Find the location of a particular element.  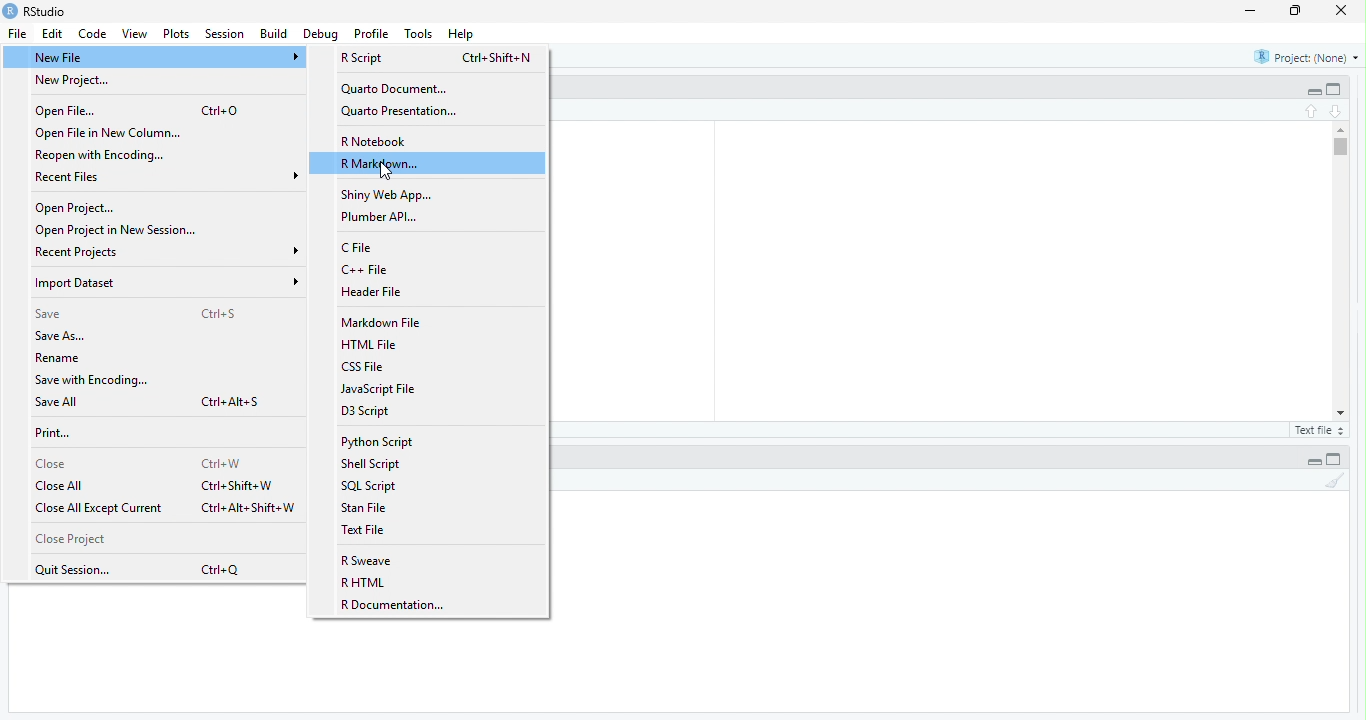

Code is located at coordinates (94, 33).